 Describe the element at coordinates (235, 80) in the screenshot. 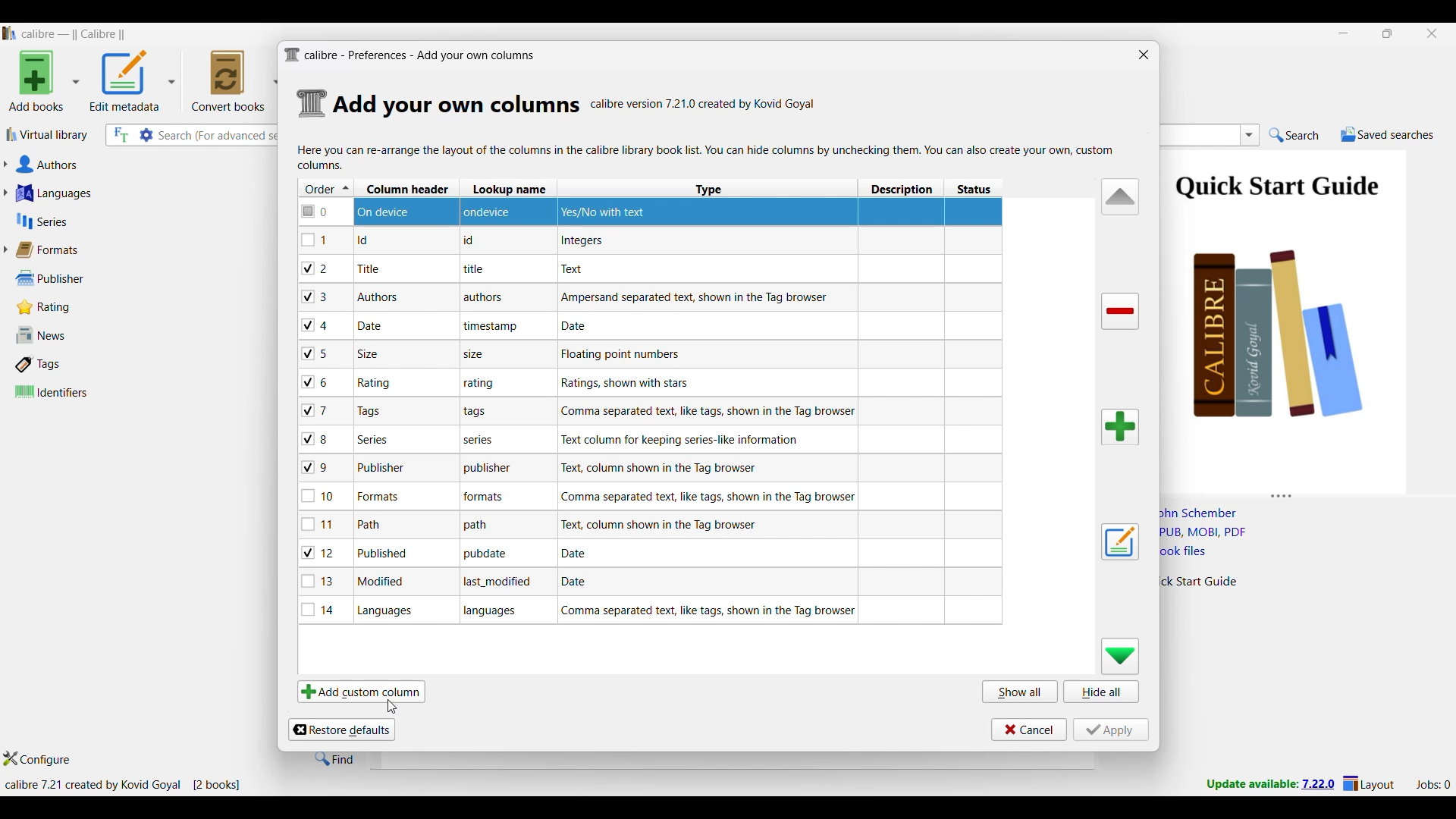

I see `Convert books options` at that location.